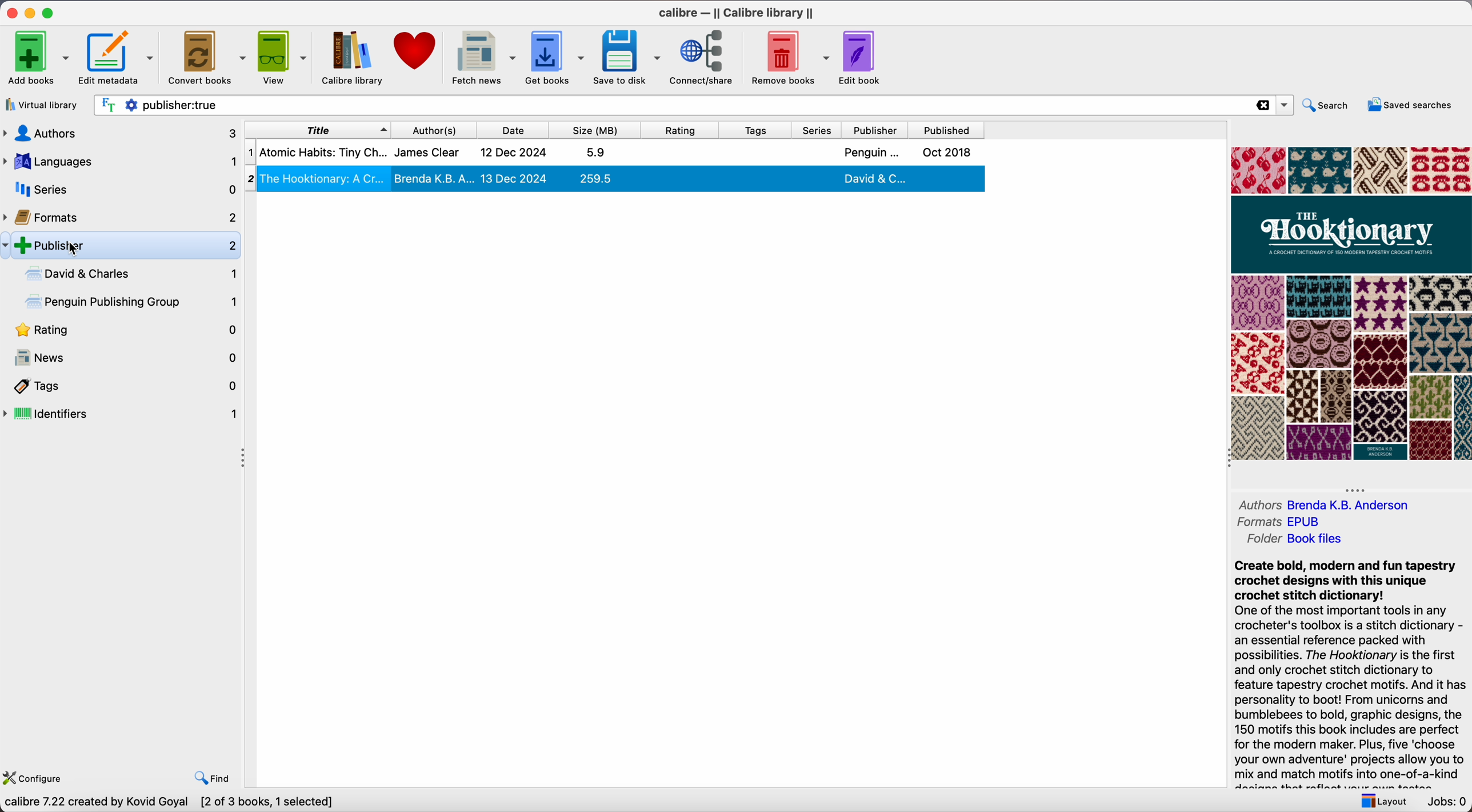 The height and width of the screenshot is (812, 1472). What do you see at coordinates (705, 58) in the screenshot?
I see `connect/share` at bounding box center [705, 58].